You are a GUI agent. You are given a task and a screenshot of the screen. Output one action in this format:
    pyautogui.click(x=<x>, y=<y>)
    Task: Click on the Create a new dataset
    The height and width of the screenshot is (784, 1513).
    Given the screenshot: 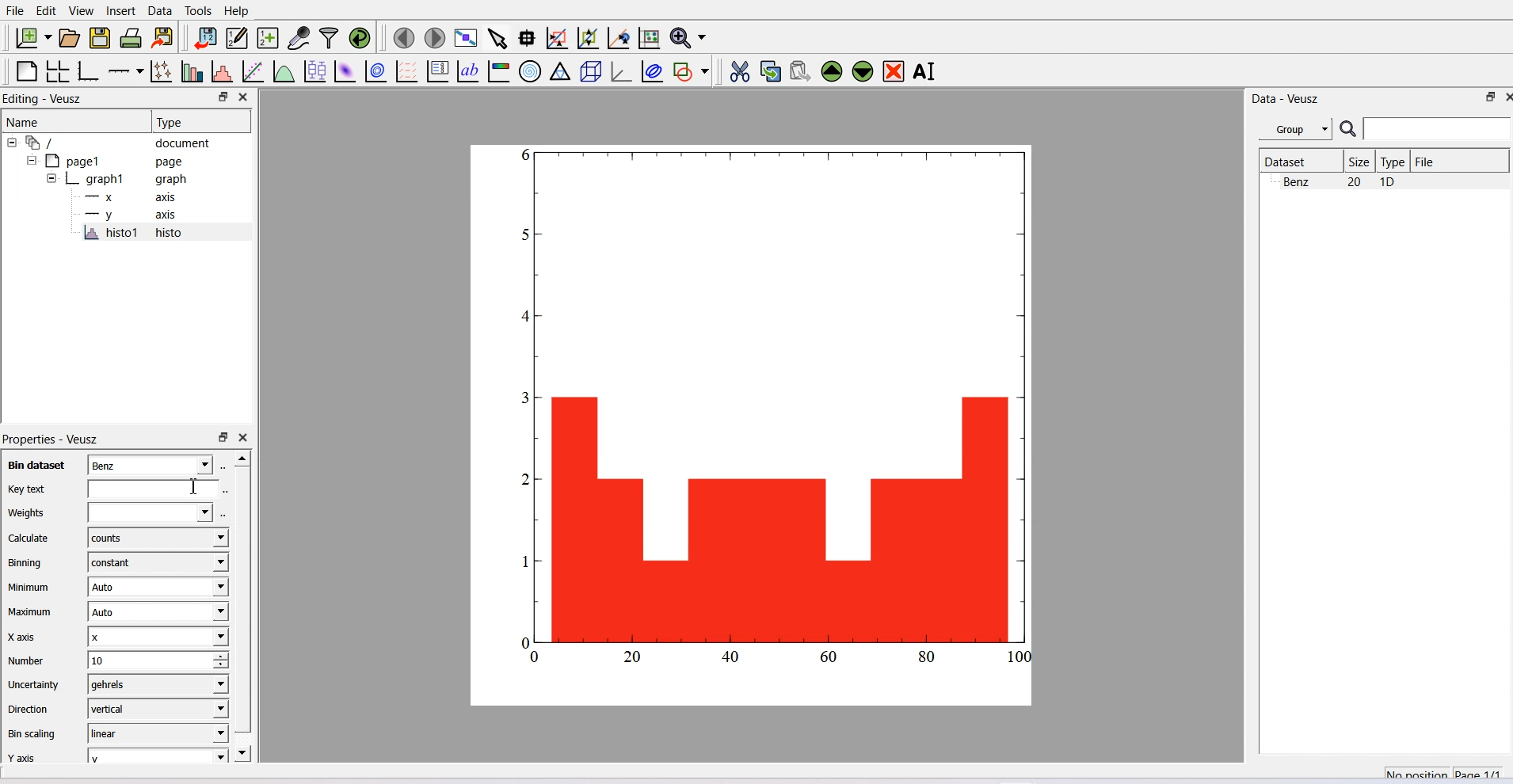 What is the action you would take?
    pyautogui.click(x=268, y=38)
    